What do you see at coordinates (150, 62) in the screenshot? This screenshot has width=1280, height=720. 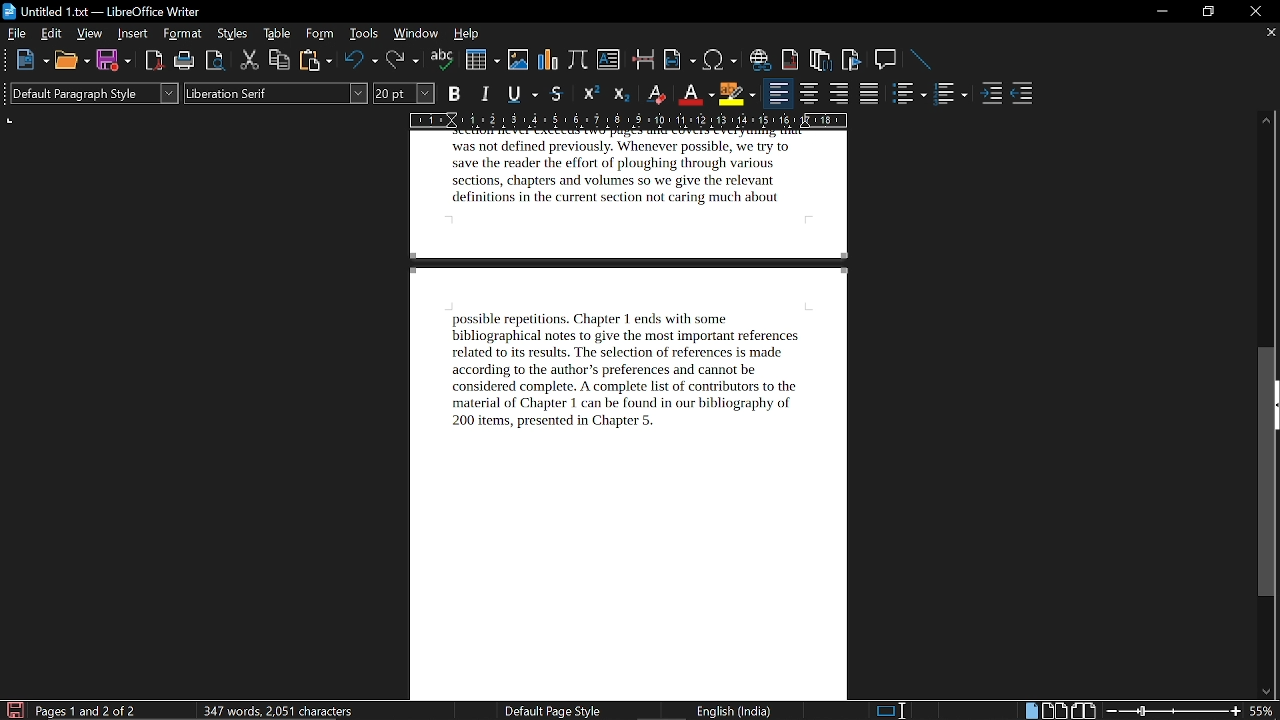 I see `export as pdf` at bounding box center [150, 62].